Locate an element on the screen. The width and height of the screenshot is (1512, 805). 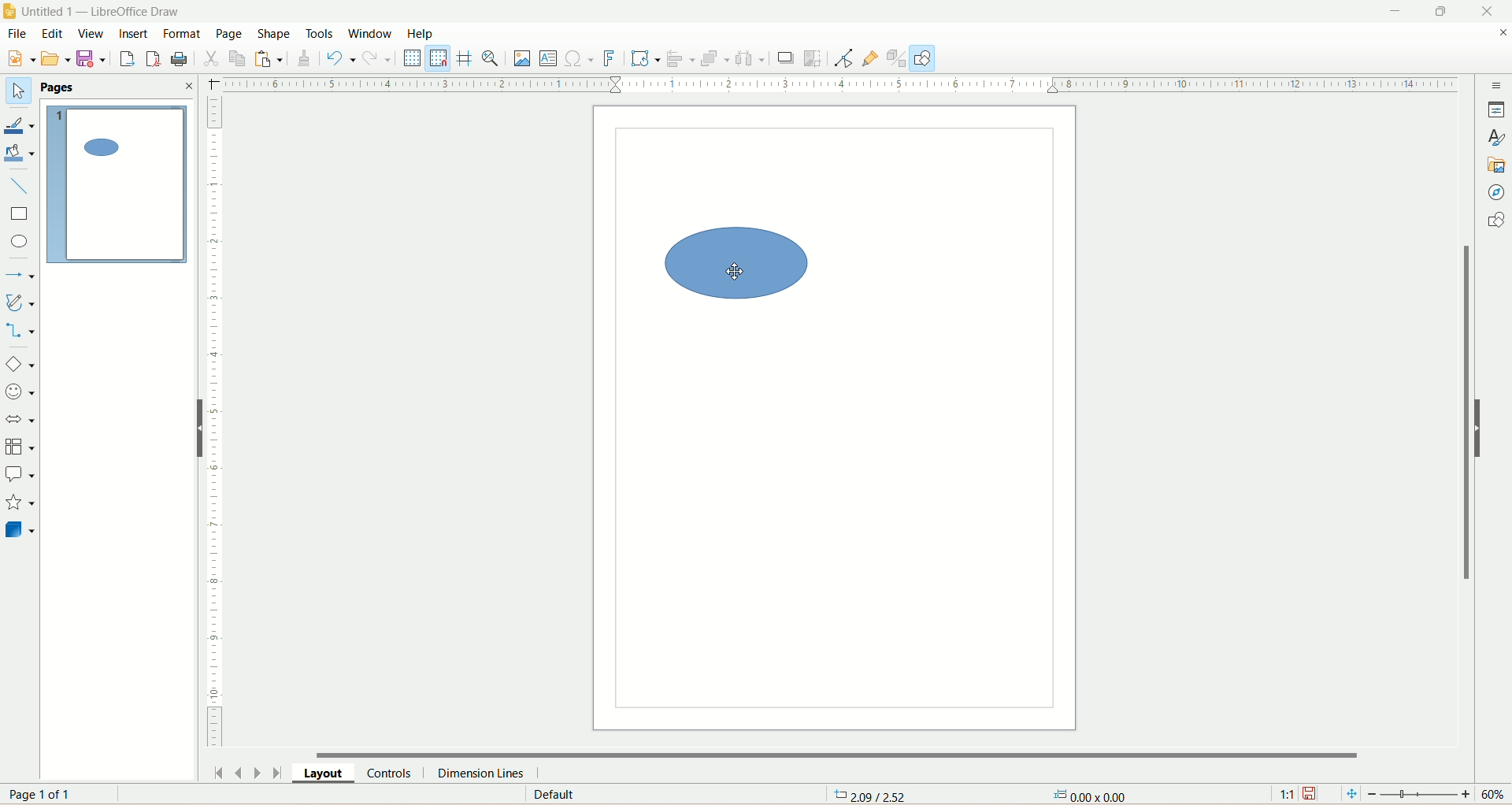
layout is located at coordinates (327, 772).